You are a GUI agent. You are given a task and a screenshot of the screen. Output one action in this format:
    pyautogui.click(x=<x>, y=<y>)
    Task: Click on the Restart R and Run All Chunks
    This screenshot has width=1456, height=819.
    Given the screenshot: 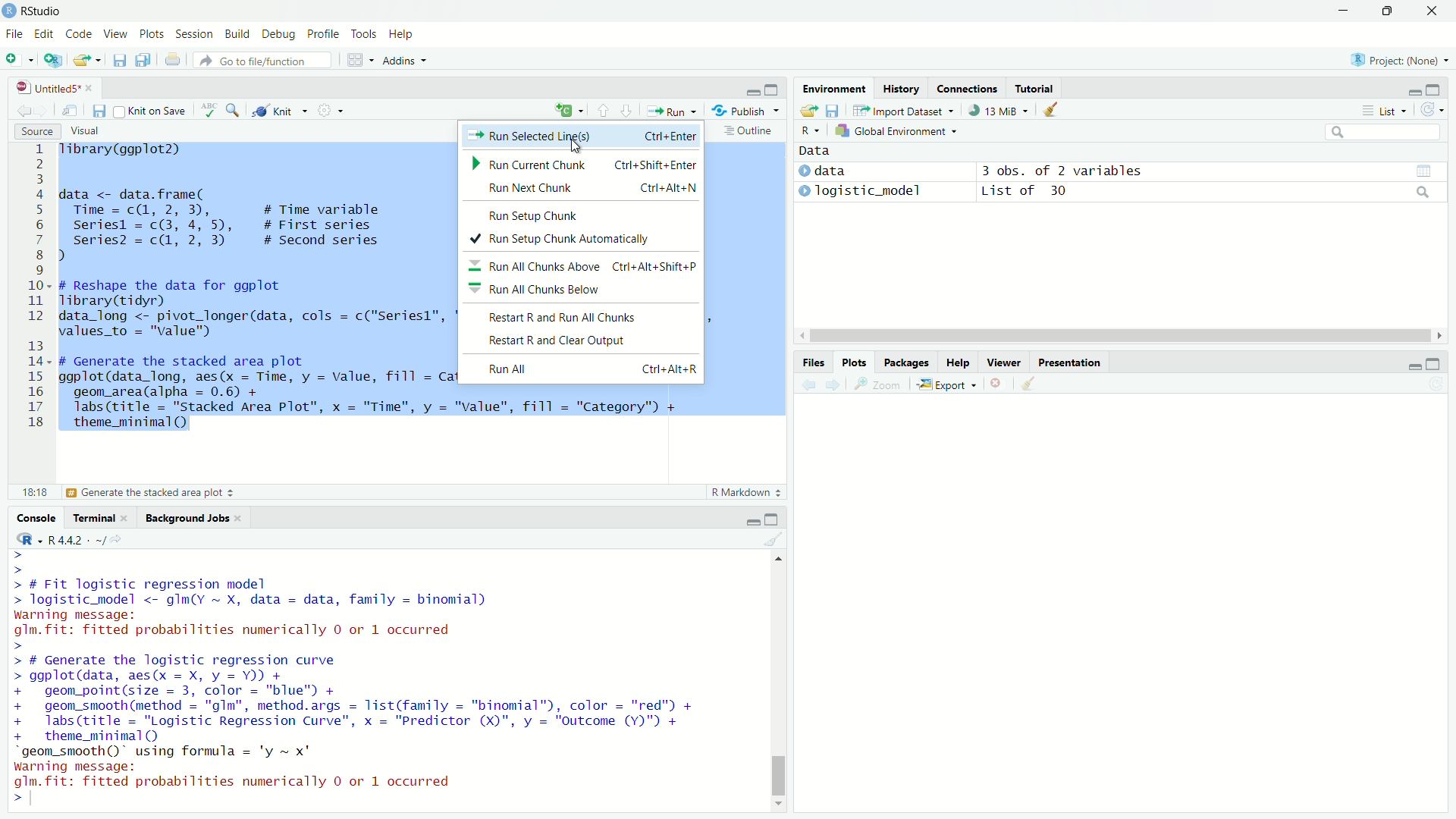 What is the action you would take?
    pyautogui.click(x=566, y=316)
    